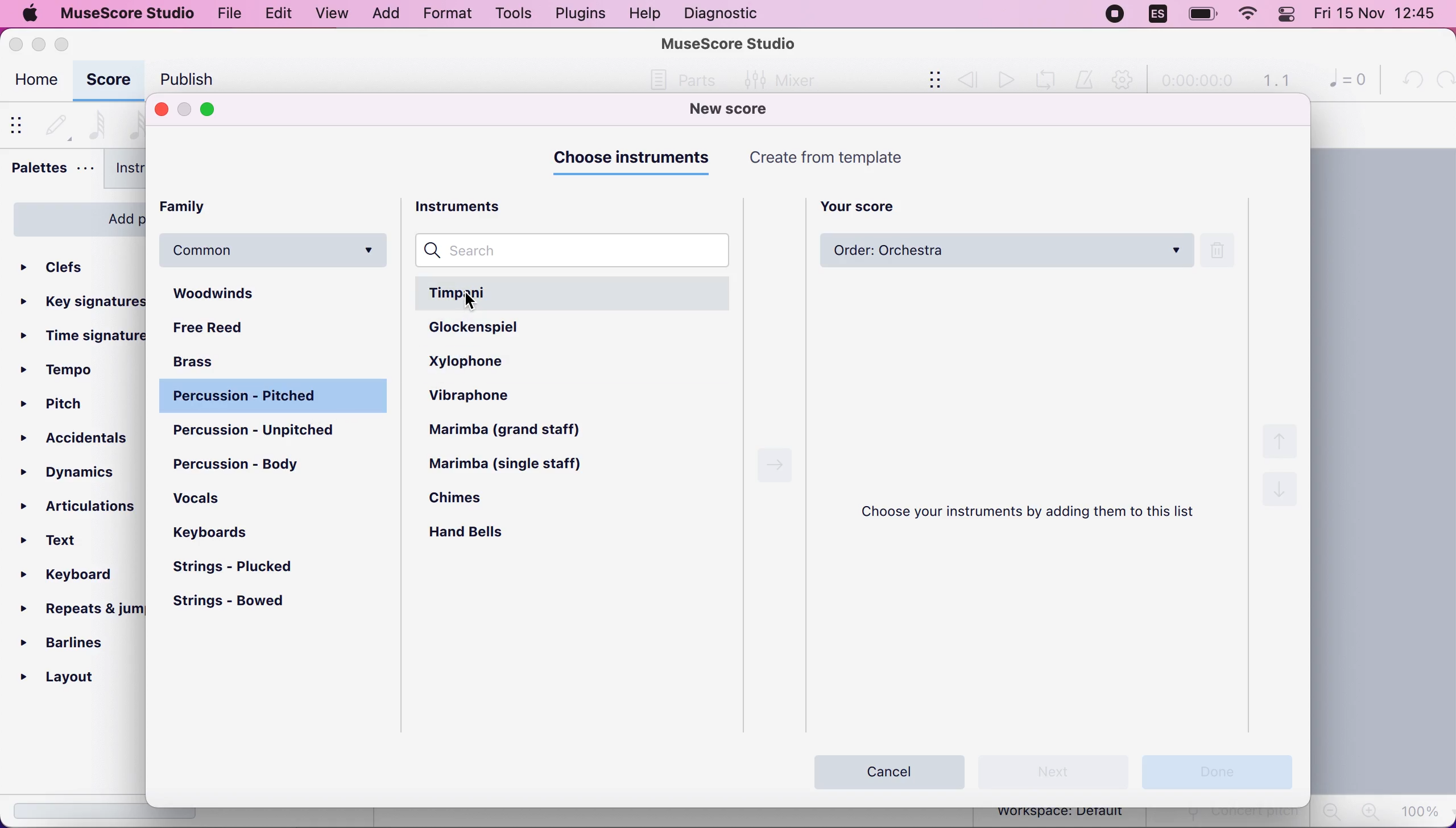 This screenshot has width=1456, height=828. What do you see at coordinates (771, 462) in the screenshot?
I see `Right` at bounding box center [771, 462].